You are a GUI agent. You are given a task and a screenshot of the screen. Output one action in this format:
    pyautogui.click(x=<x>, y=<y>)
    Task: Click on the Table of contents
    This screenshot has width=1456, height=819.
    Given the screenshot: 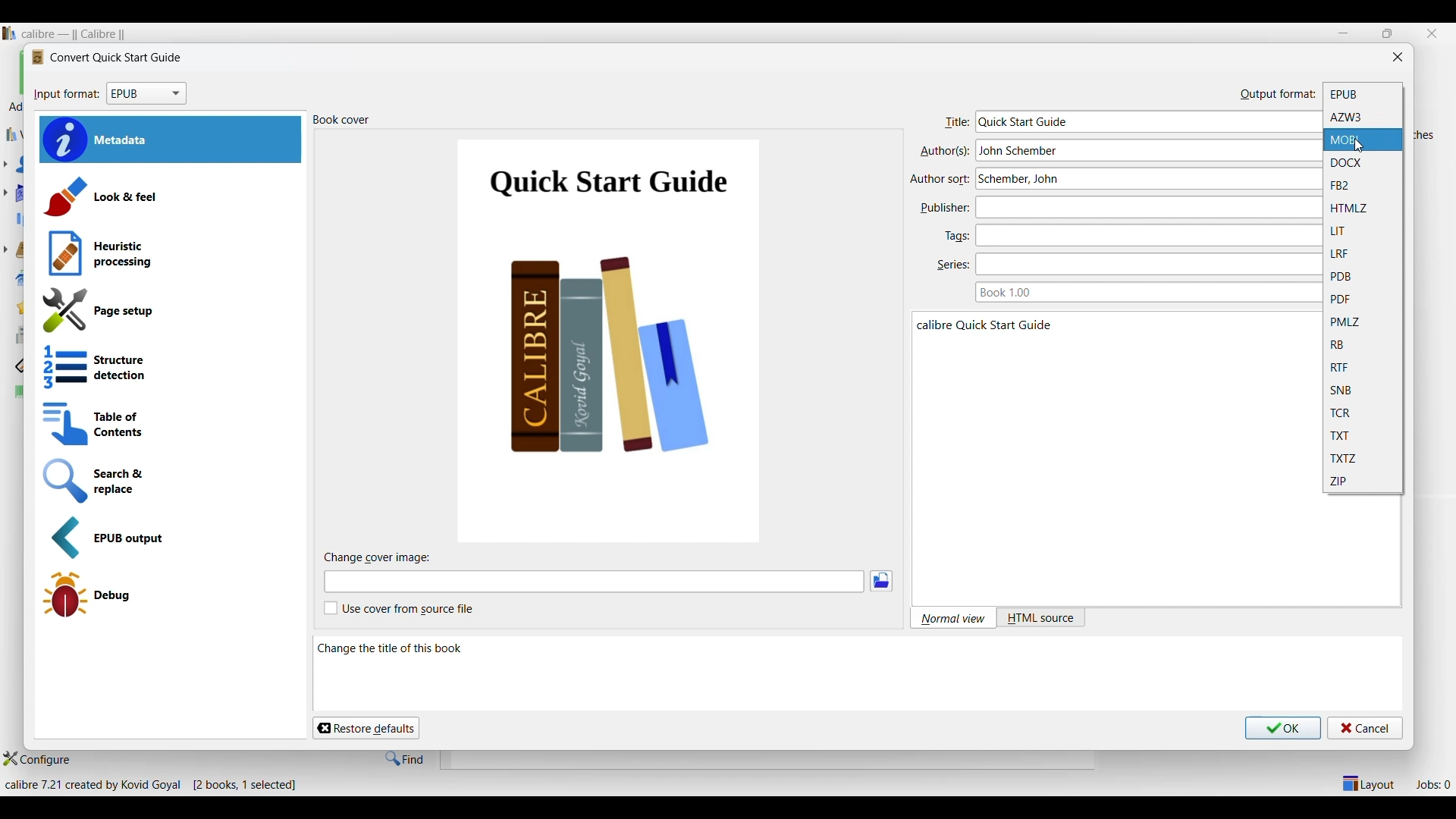 What is the action you would take?
    pyautogui.click(x=168, y=425)
    